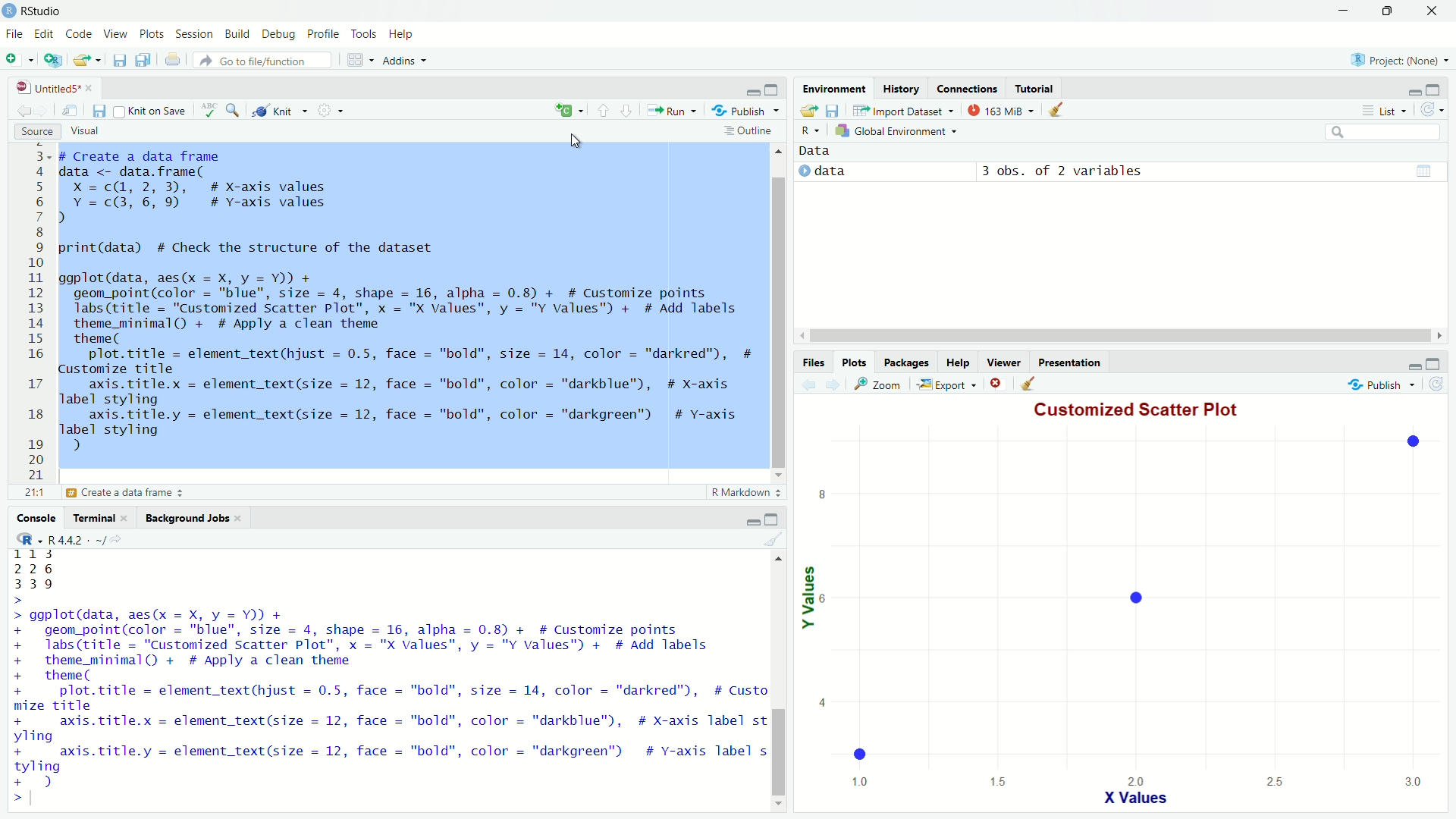 The height and width of the screenshot is (819, 1456). Describe the element at coordinates (325, 35) in the screenshot. I see `Profile` at that location.